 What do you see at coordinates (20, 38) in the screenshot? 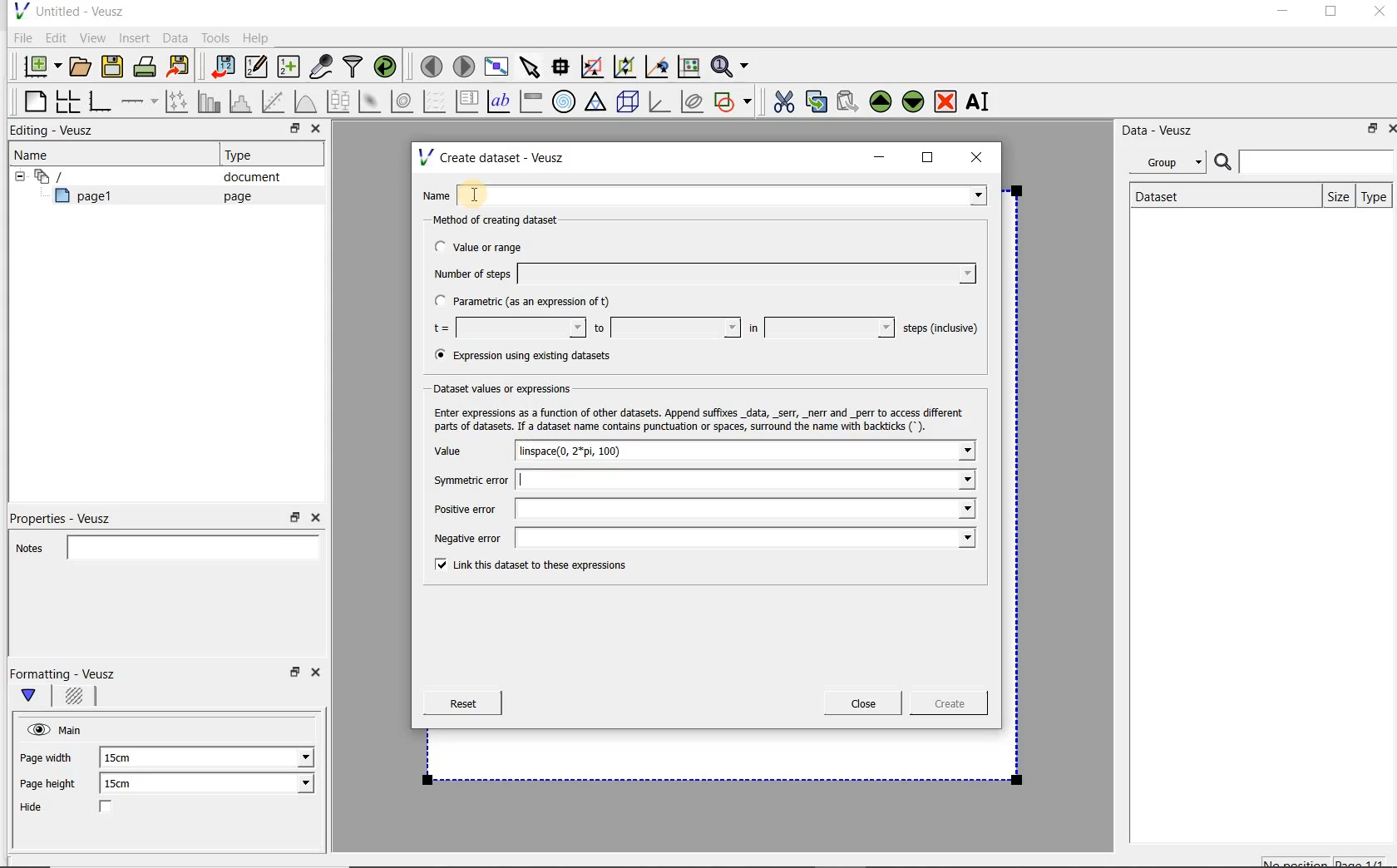
I see `File` at bounding box center [20, 38].